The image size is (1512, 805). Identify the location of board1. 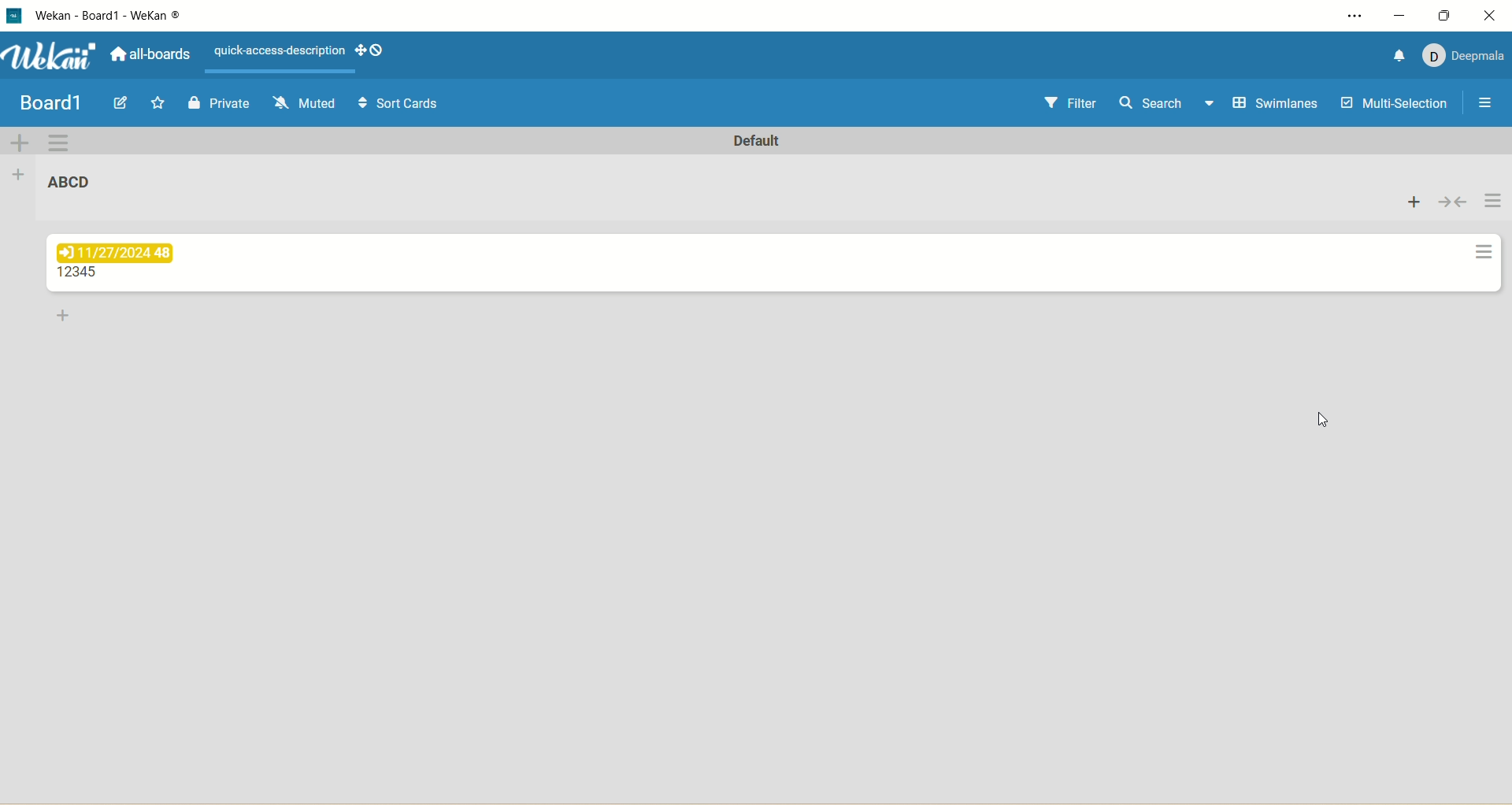
(50, 104).